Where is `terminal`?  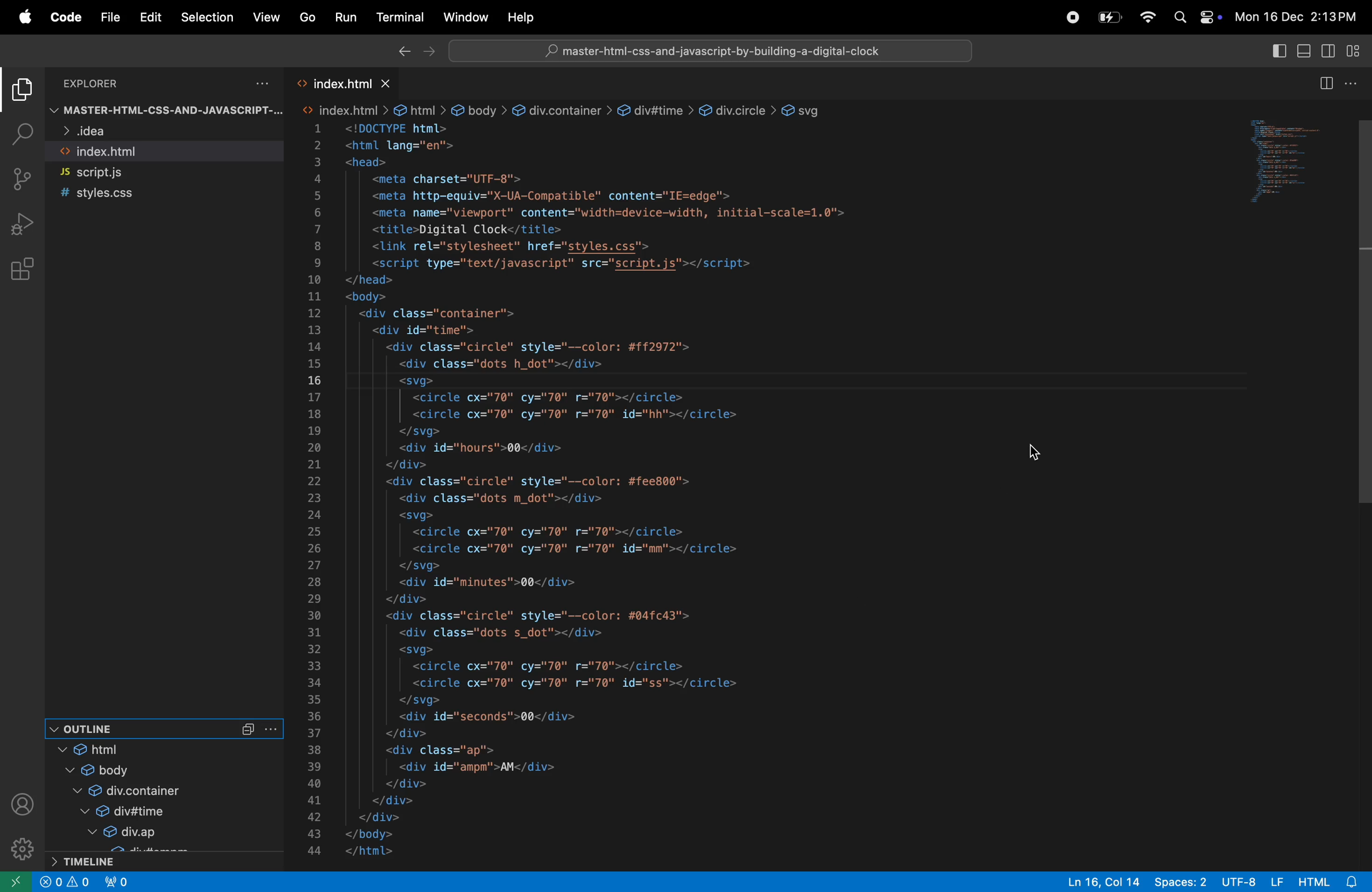
terminal is located at coordinates (400, 20).